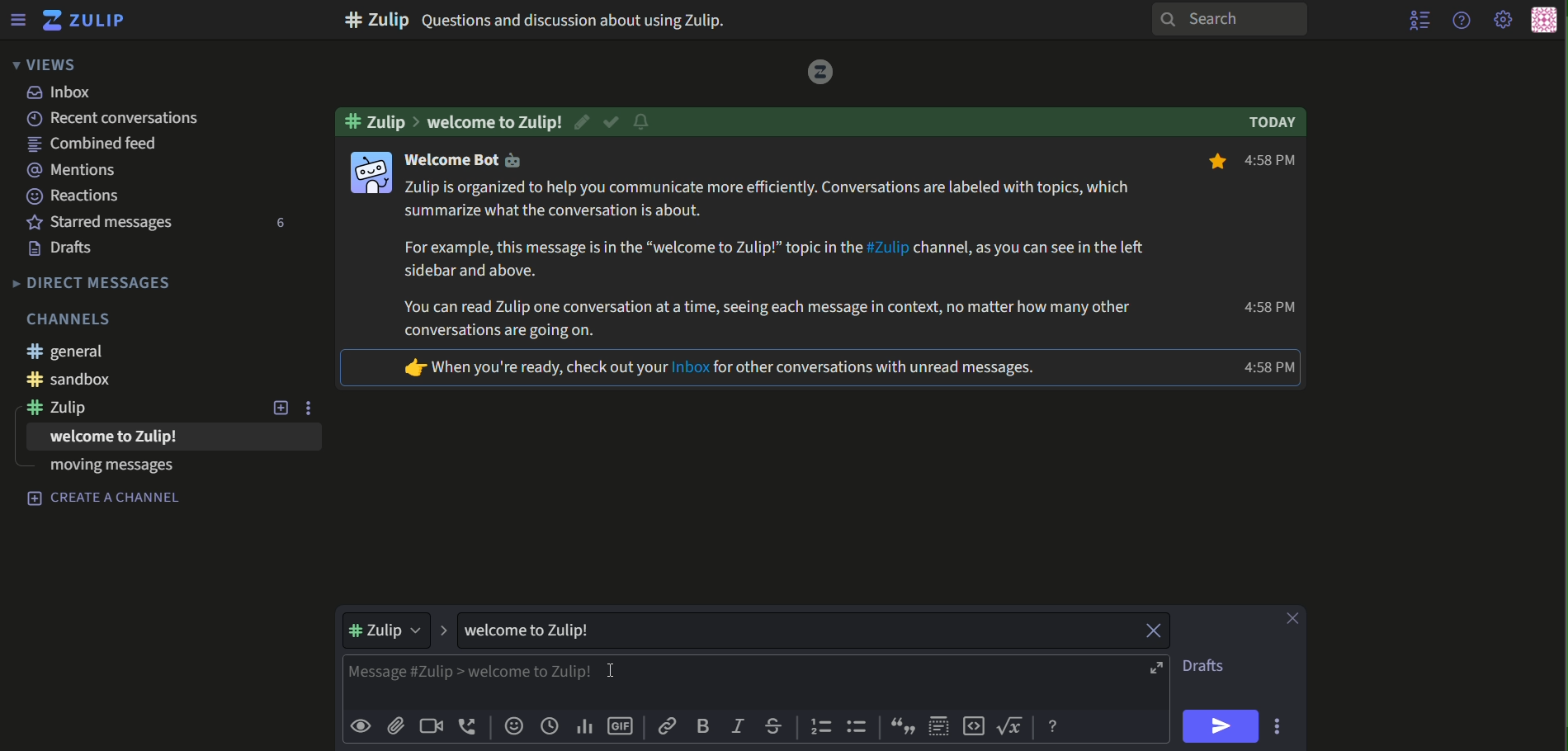  What do you see at coordinates (469, 726) in the screenshot?
I see `add voice call` at bounding box center [469, 726].